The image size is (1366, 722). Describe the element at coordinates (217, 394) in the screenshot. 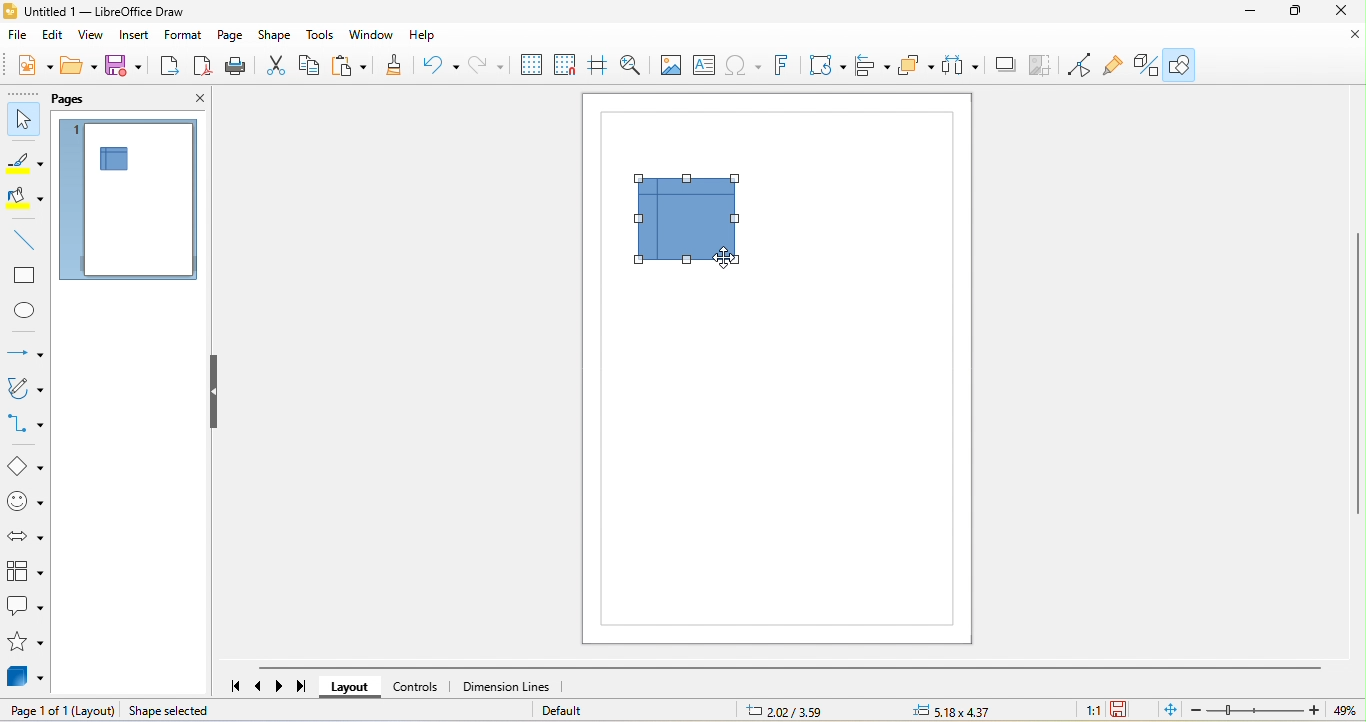

I see `hide` at that location.